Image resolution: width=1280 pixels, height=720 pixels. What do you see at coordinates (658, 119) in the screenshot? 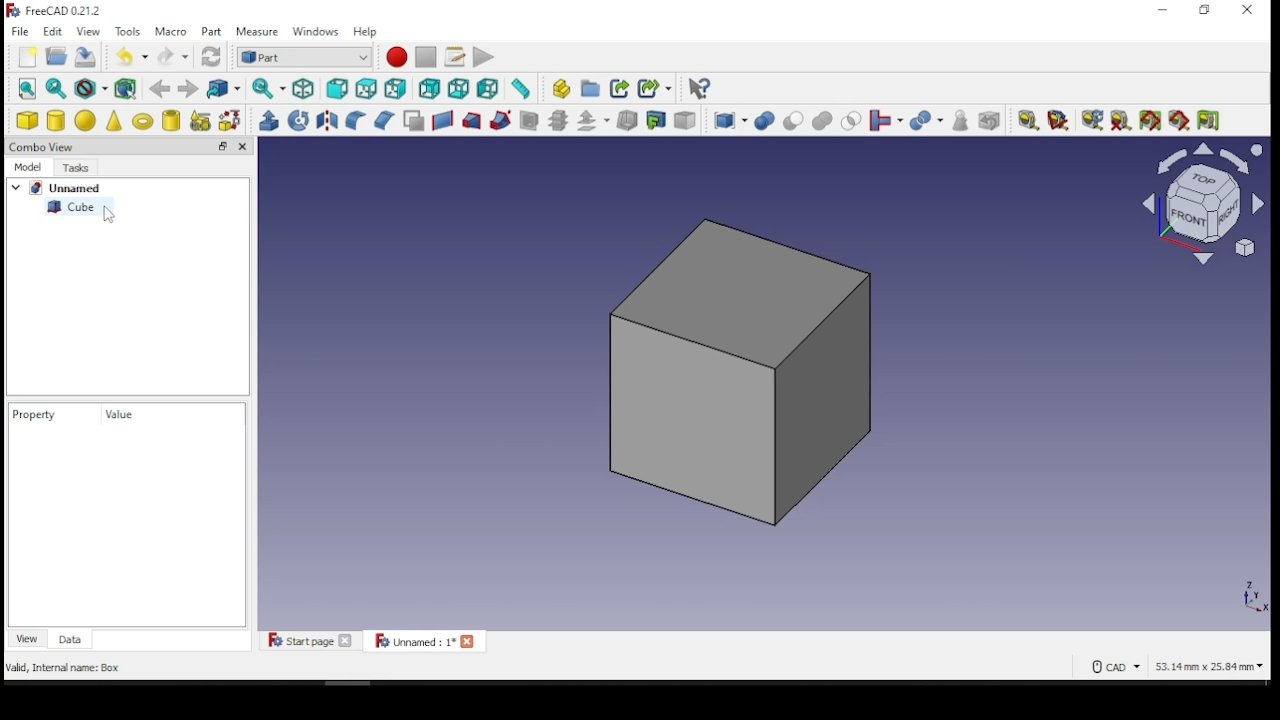
I see `create projection on surface` at bounding box center [658, 119].